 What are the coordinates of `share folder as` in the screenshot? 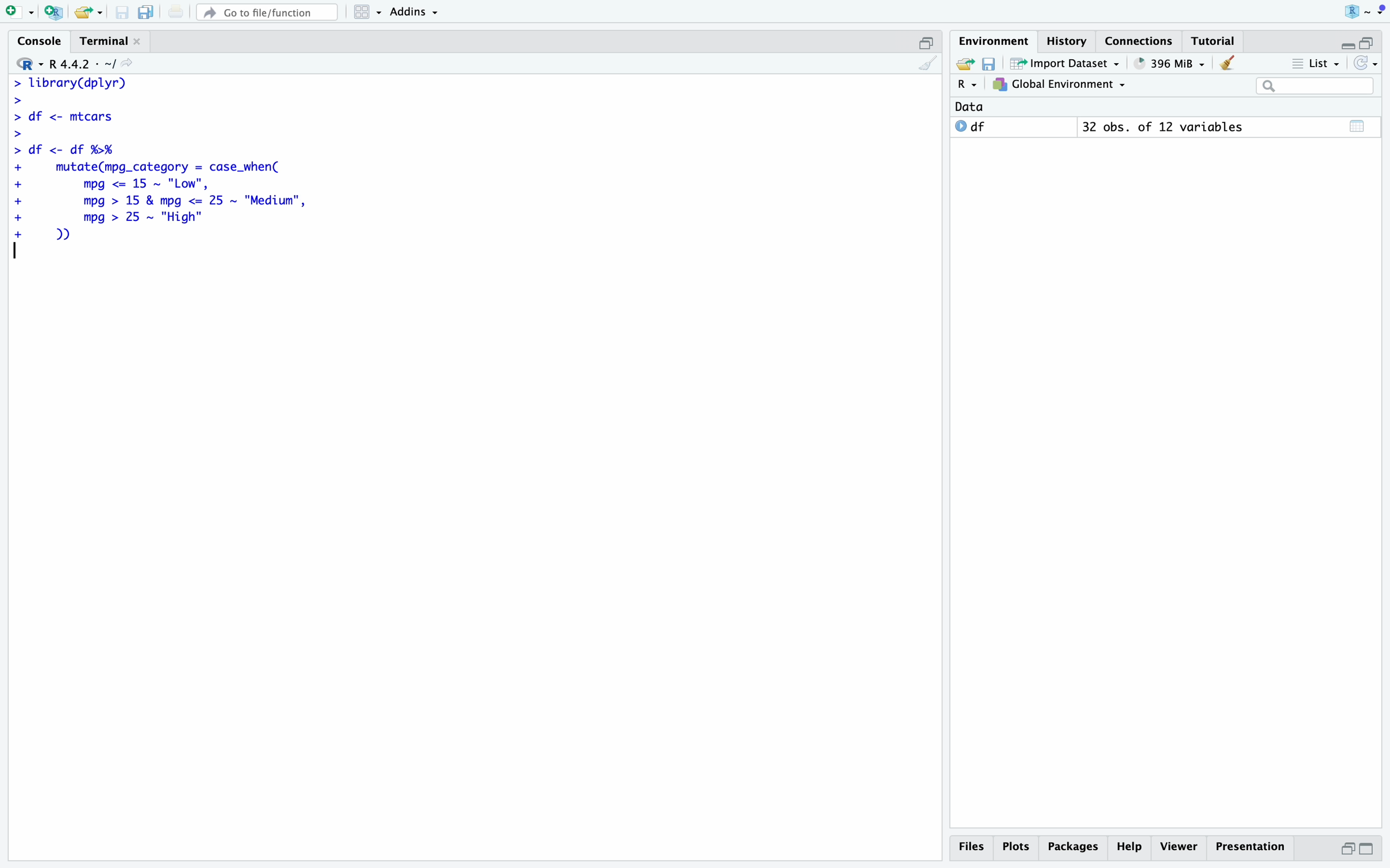 It's located at (90, 13).